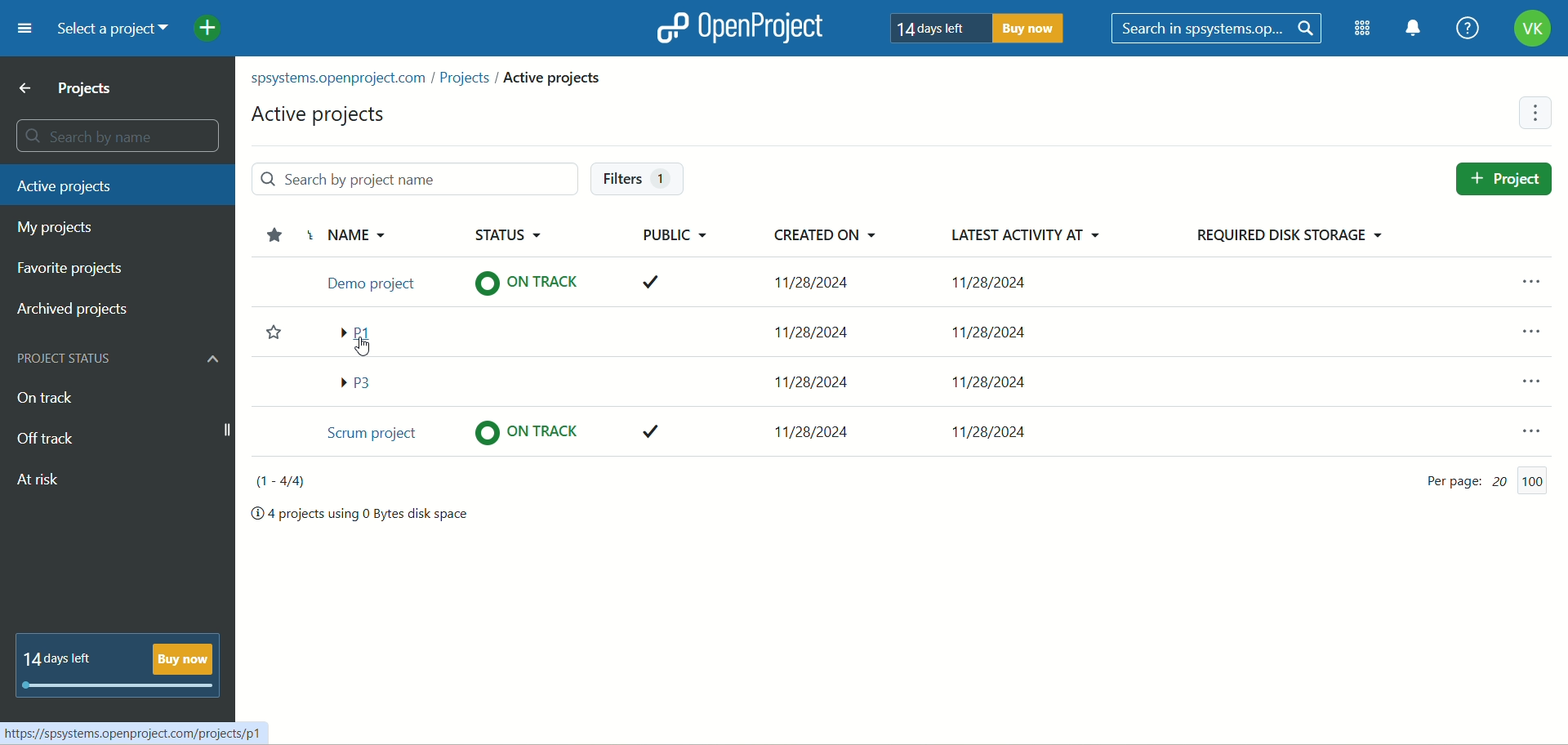 The image size is (1568, 745). What do you see at coordinates (341, 81) in the screenshot?
I see `spsystems.openproject.com` at bounding box center [341, 81].